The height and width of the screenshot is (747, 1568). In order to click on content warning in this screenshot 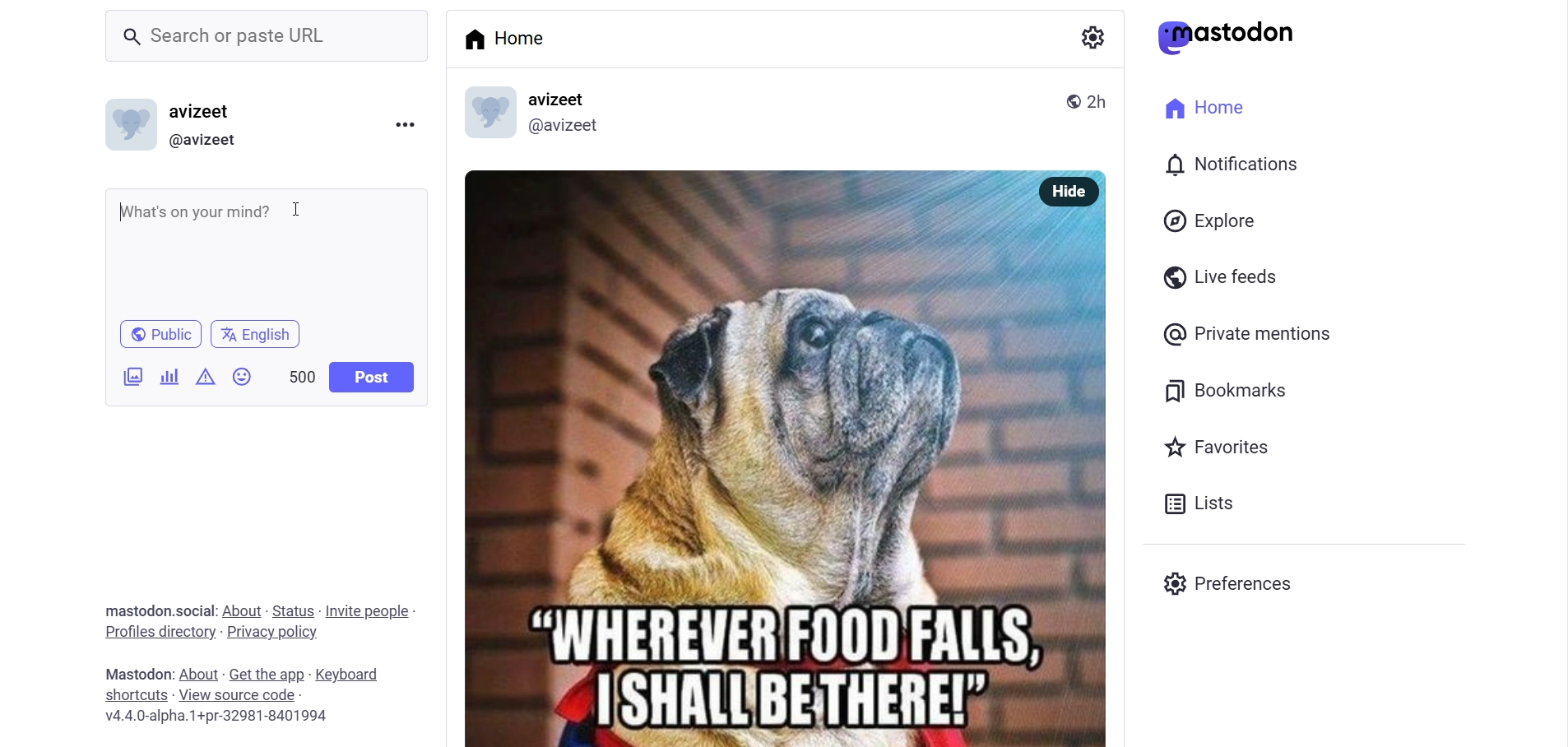, I will do `click(206, 378)`.